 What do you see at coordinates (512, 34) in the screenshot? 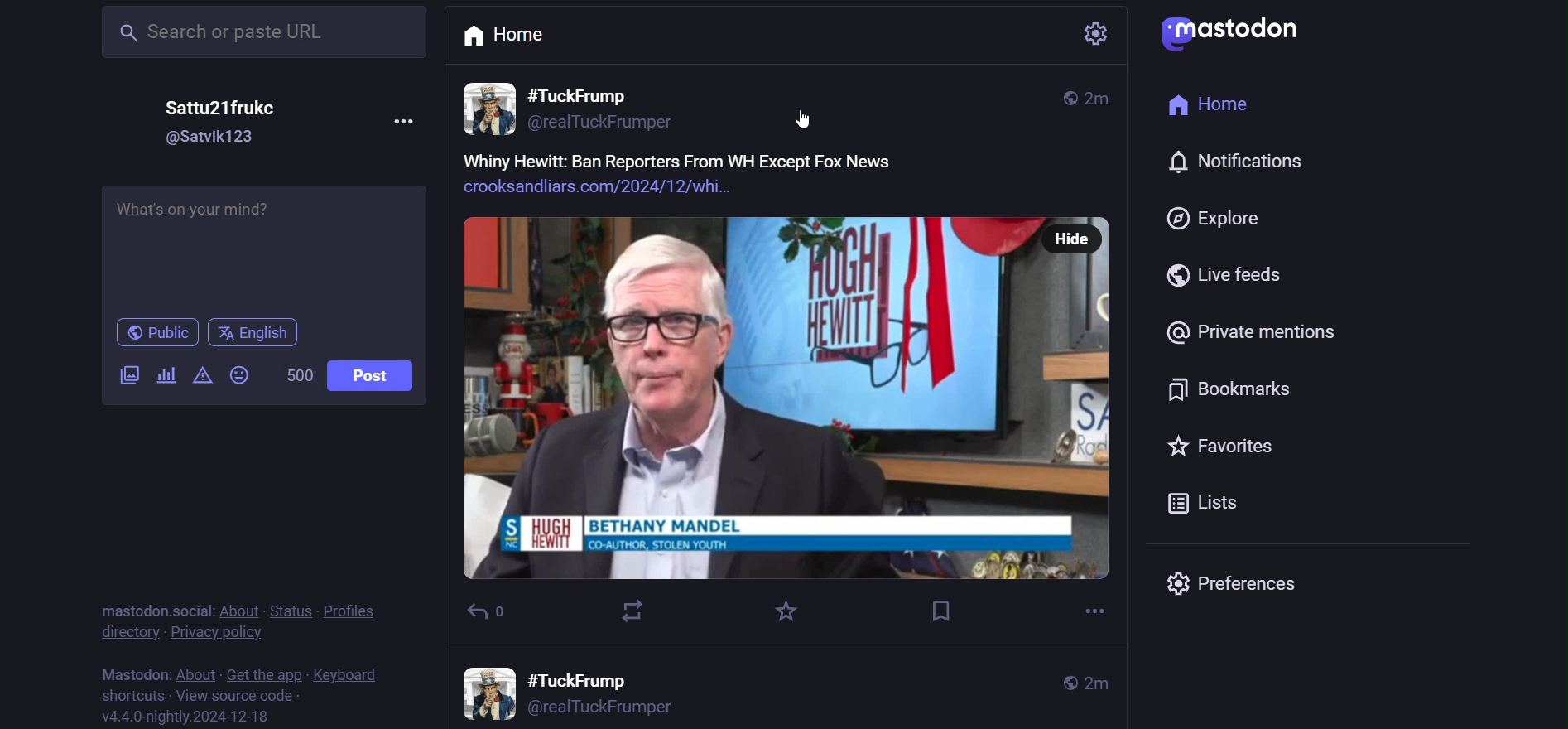
I see `home` at bounding box center [512, 34].